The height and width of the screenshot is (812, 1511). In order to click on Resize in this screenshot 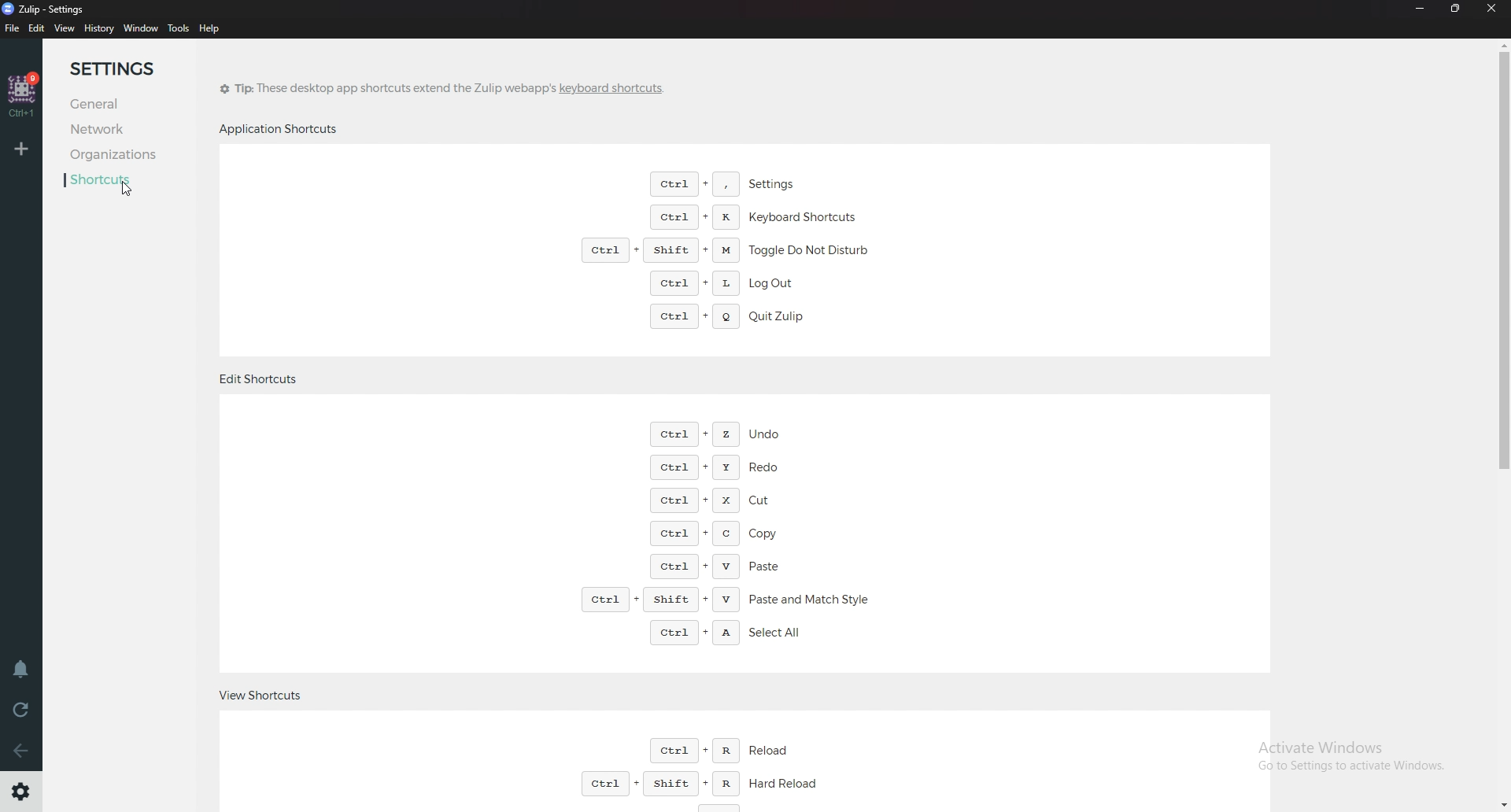, I will do `click(1457, 9)`.